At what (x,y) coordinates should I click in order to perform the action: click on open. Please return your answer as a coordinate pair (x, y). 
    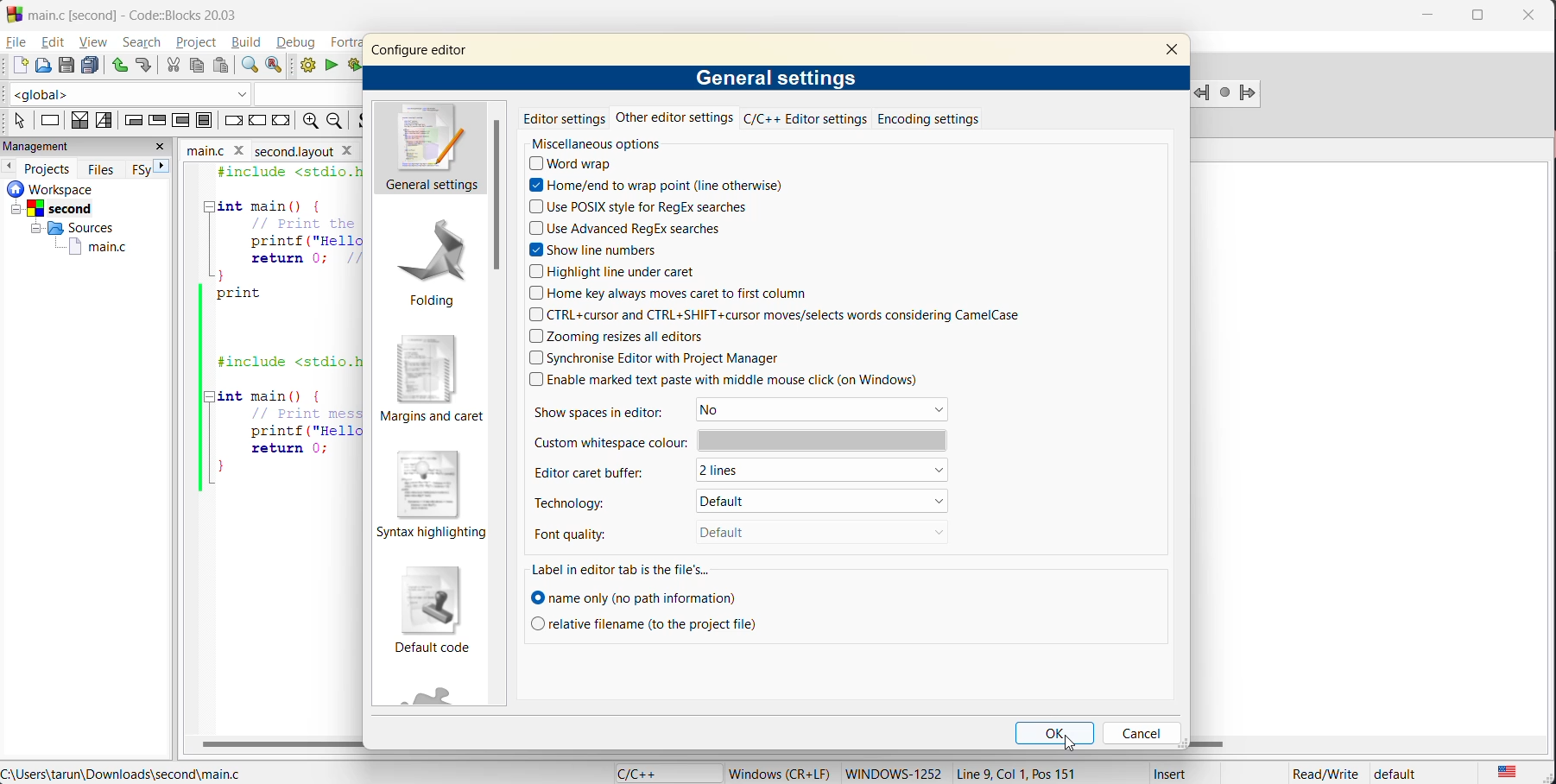
    Looking at the image, I should click on (45, 66).